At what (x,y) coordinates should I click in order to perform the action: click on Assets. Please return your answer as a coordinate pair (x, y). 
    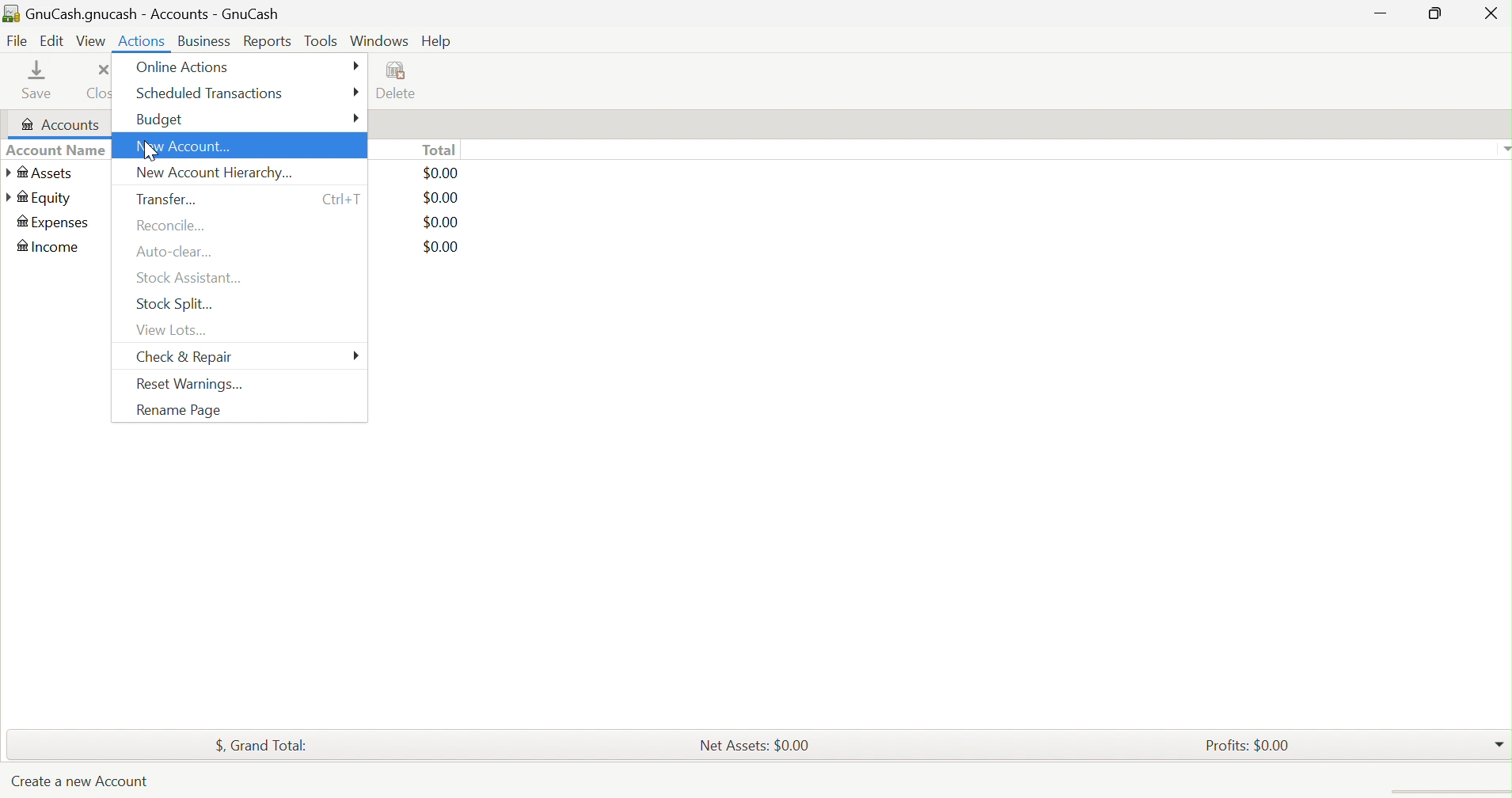
    Looking at the image, I should click on (40, 173).